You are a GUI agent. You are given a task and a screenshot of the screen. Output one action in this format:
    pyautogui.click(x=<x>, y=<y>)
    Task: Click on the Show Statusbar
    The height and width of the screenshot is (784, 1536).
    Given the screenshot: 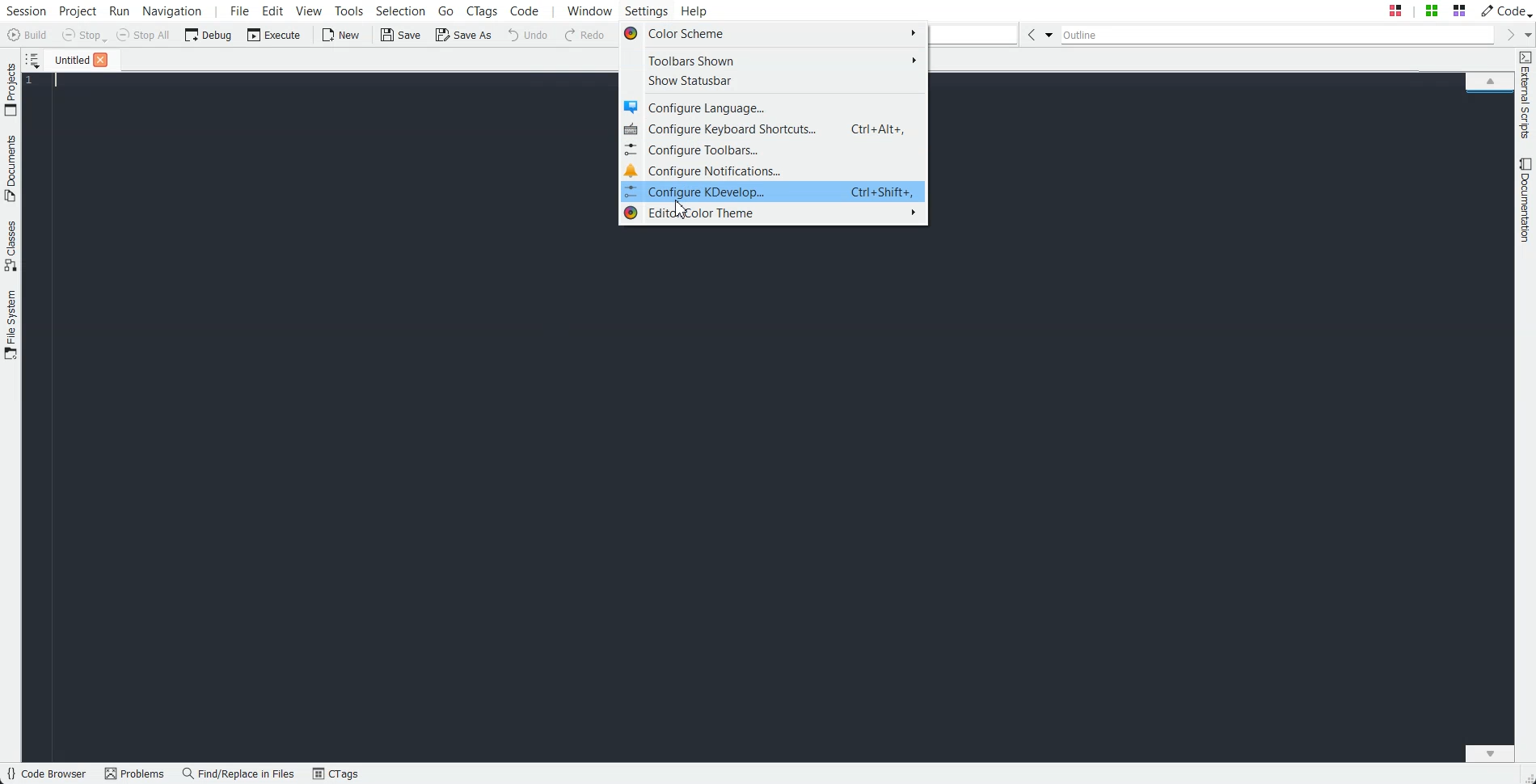 What is the action you would take?
    pyautogui.click(x=773, y=81)
    